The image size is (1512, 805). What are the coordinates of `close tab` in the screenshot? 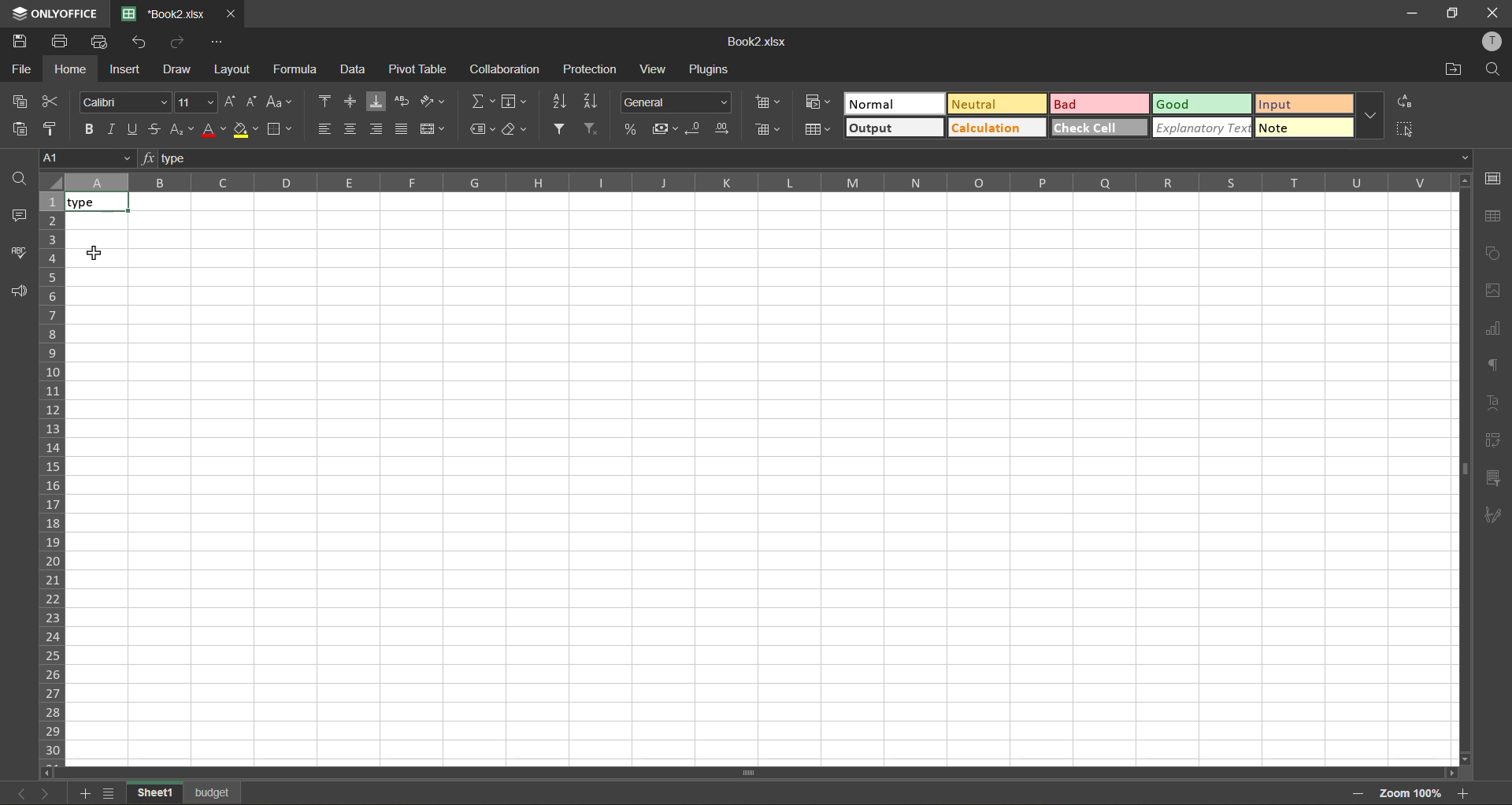 It's located at (233, 14).